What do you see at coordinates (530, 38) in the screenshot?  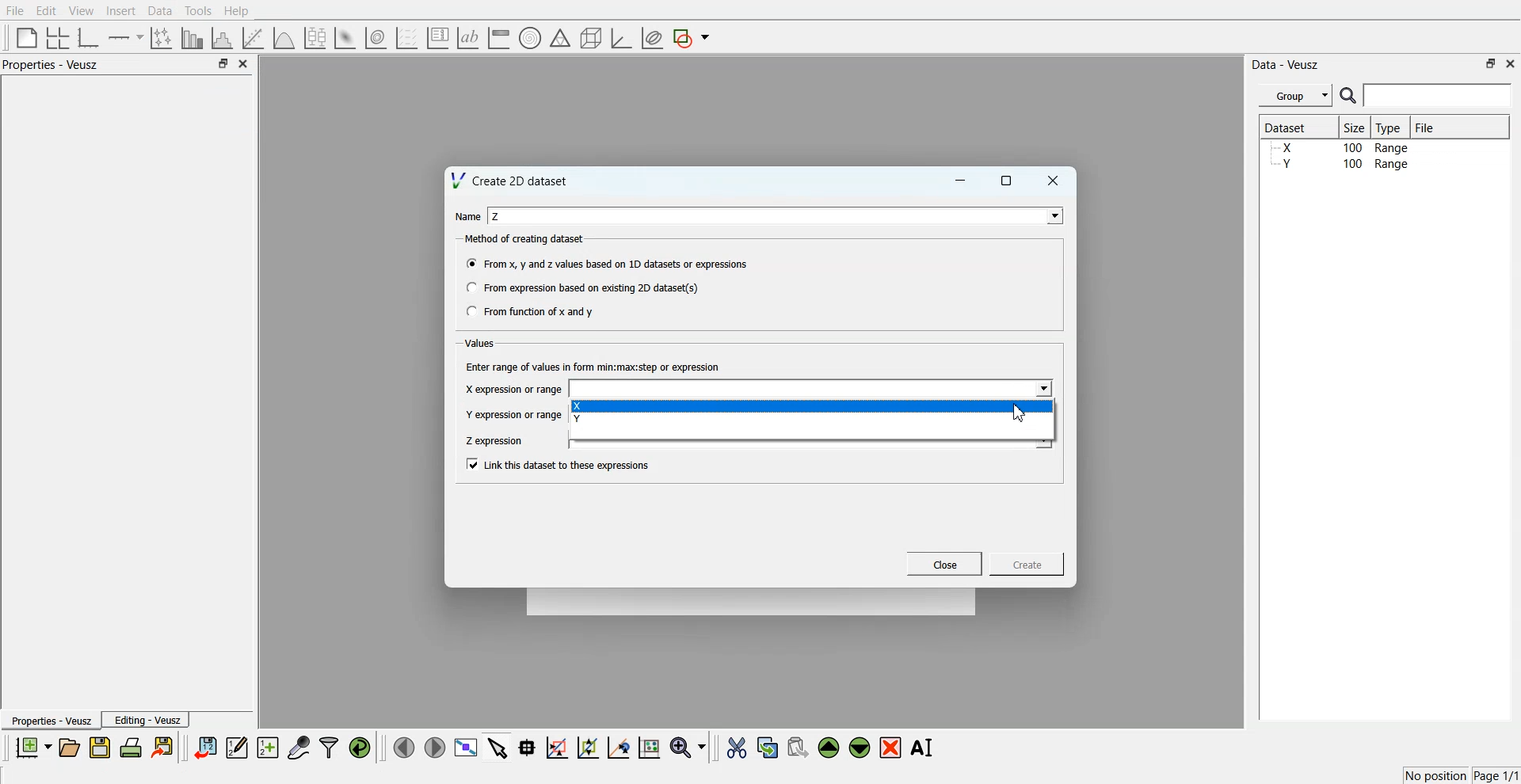 I see `Polar Graph` at bounding box center [530, 38].